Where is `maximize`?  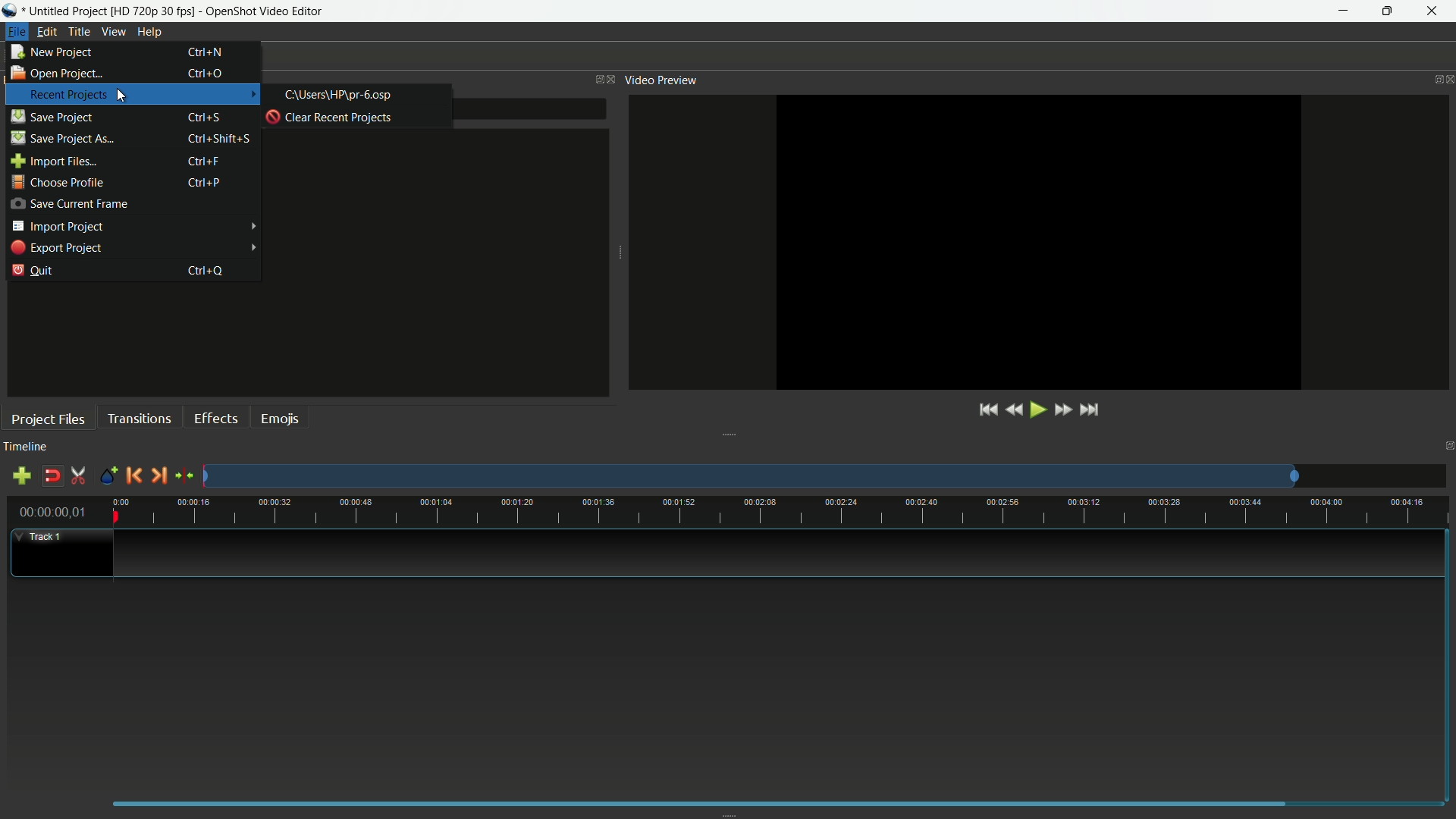
maximize is located at coordinates (1389, 11).